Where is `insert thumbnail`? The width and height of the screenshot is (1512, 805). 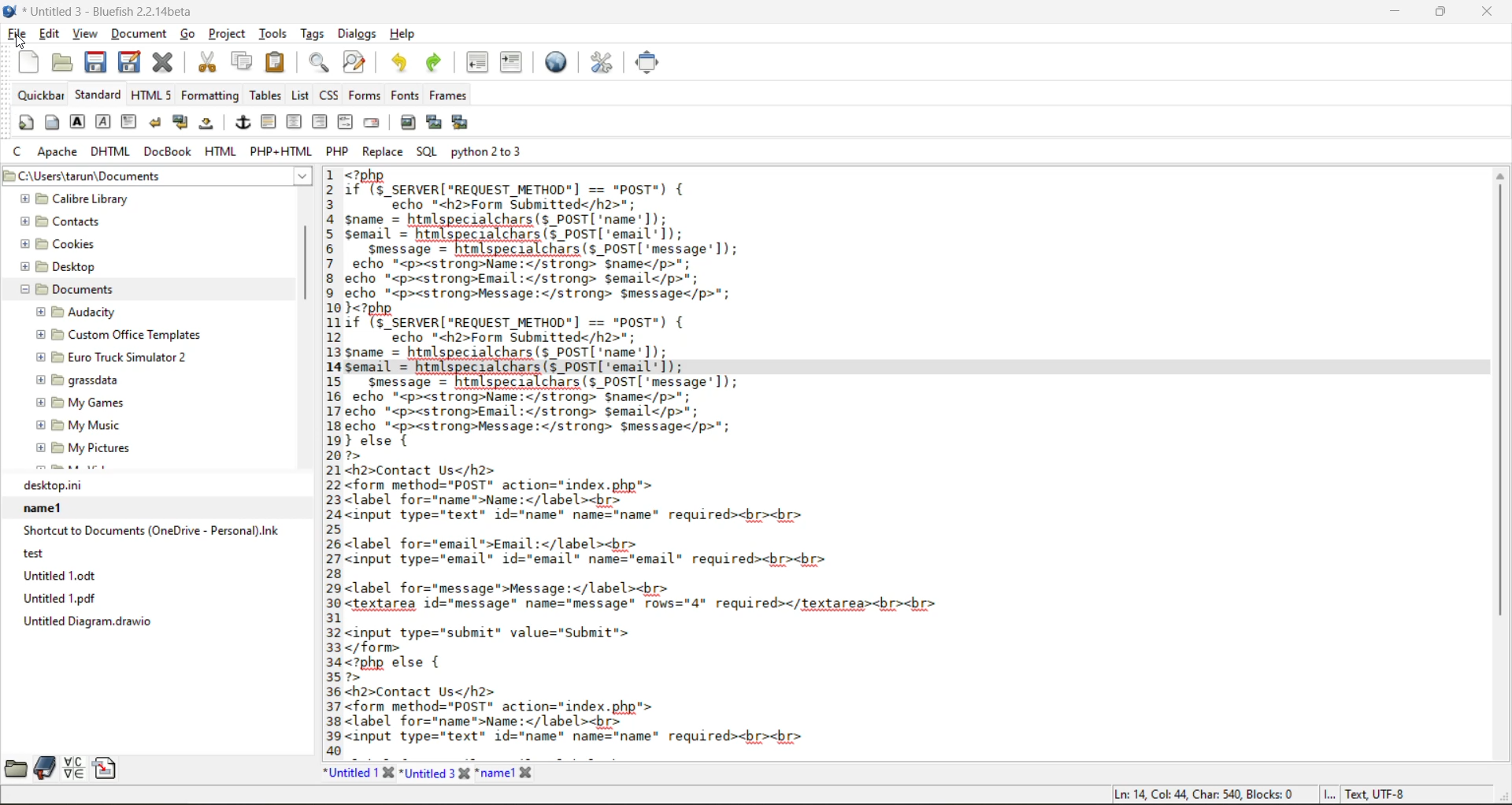 insert thumbnail is located at coordinates (435, 124).